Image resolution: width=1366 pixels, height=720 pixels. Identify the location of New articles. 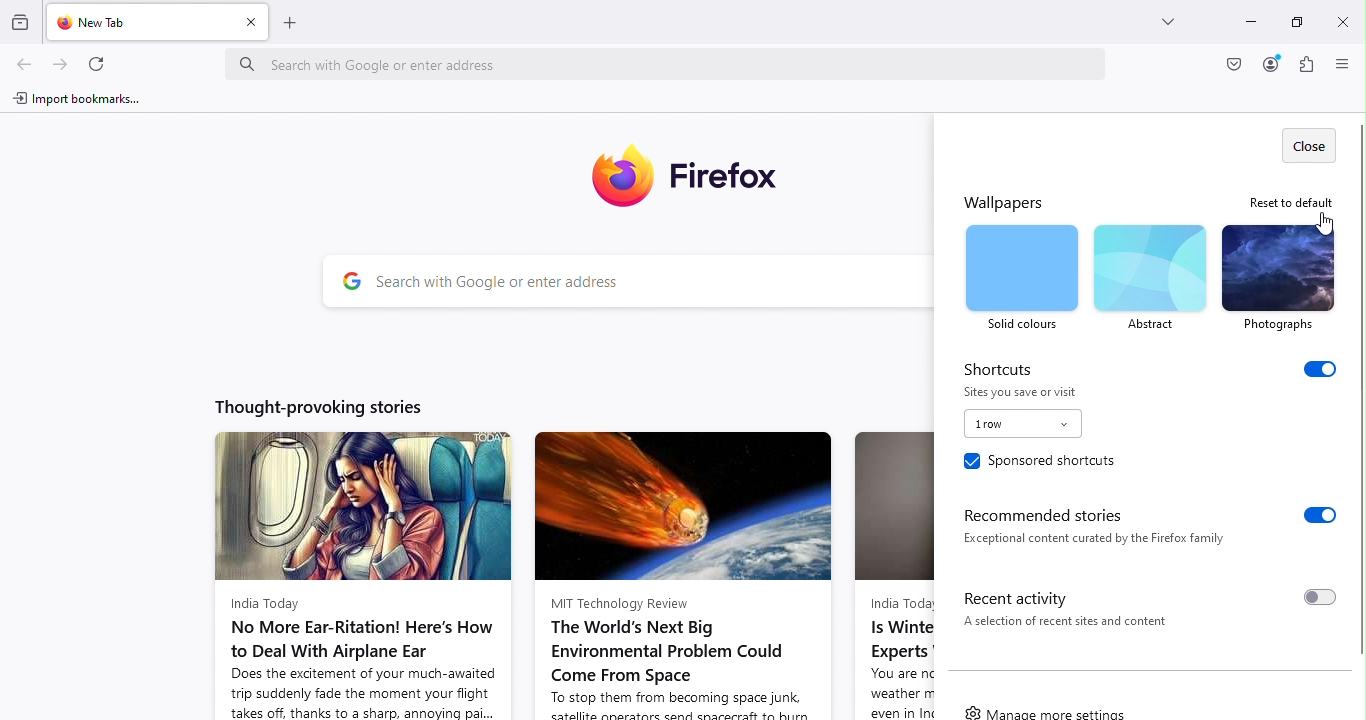
(363, 557).